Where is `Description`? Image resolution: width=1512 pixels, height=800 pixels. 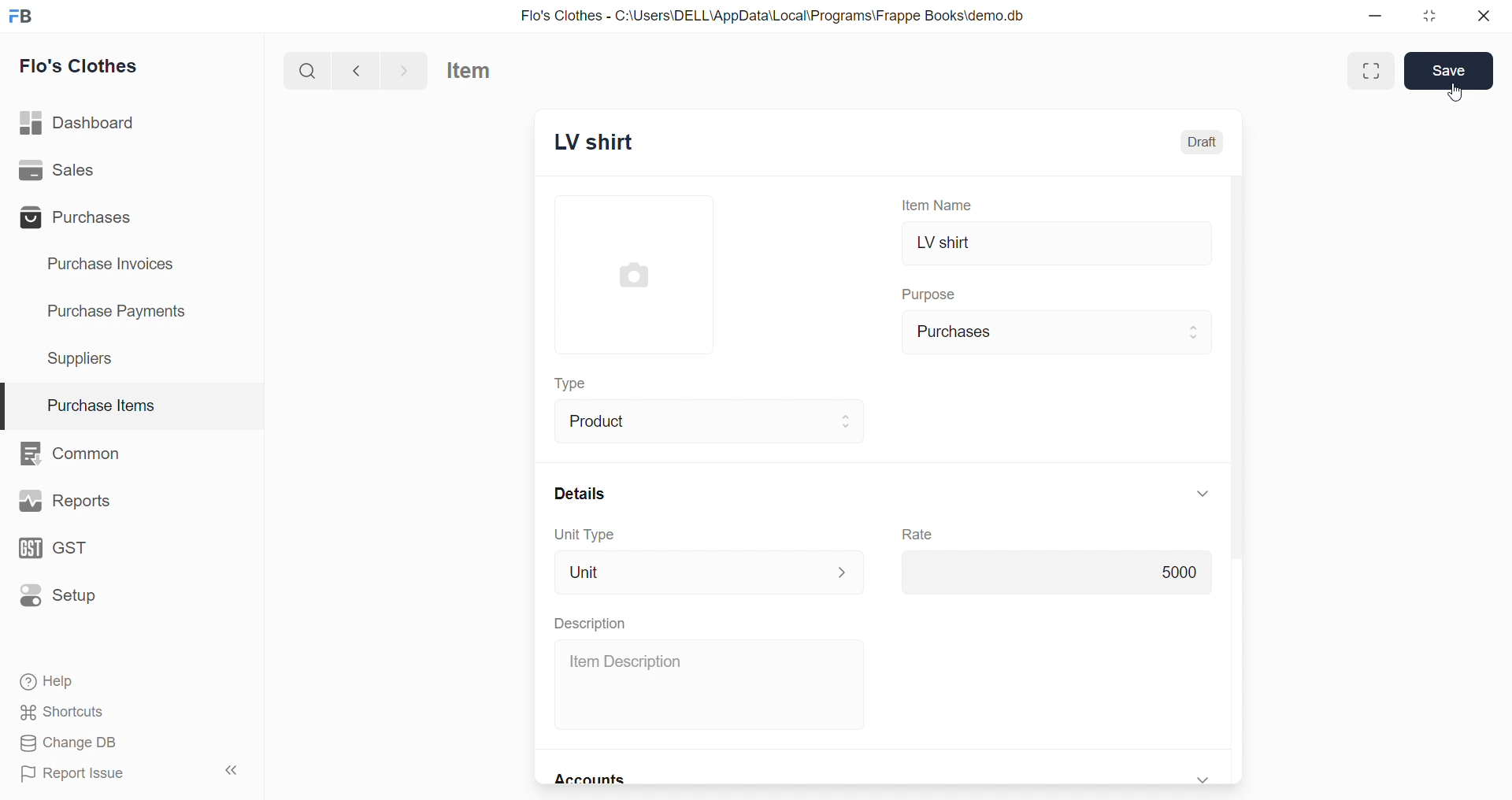 Description is located at coordinates (589, 623).